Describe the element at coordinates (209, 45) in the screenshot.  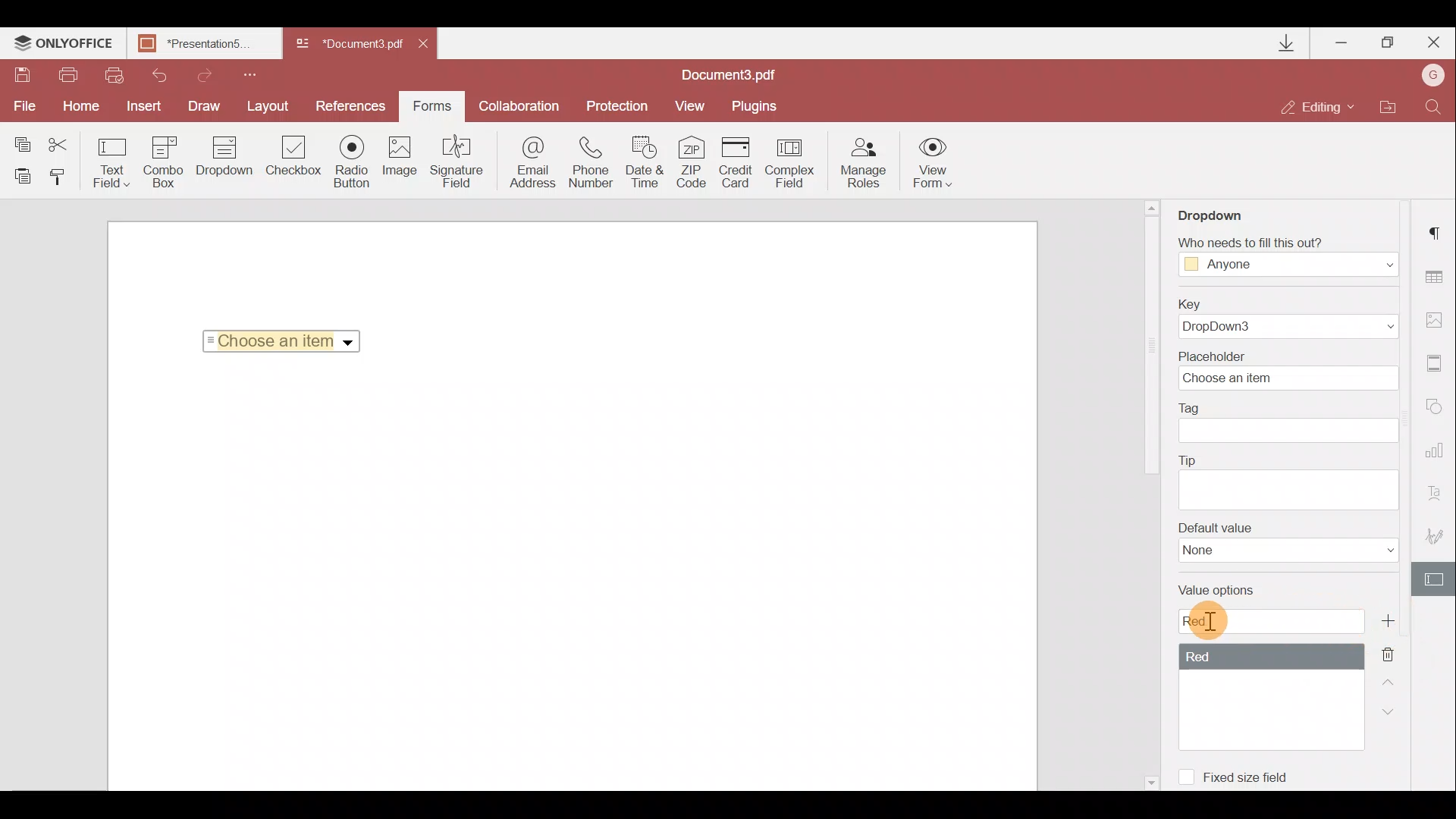
I see `Document name` at that location.